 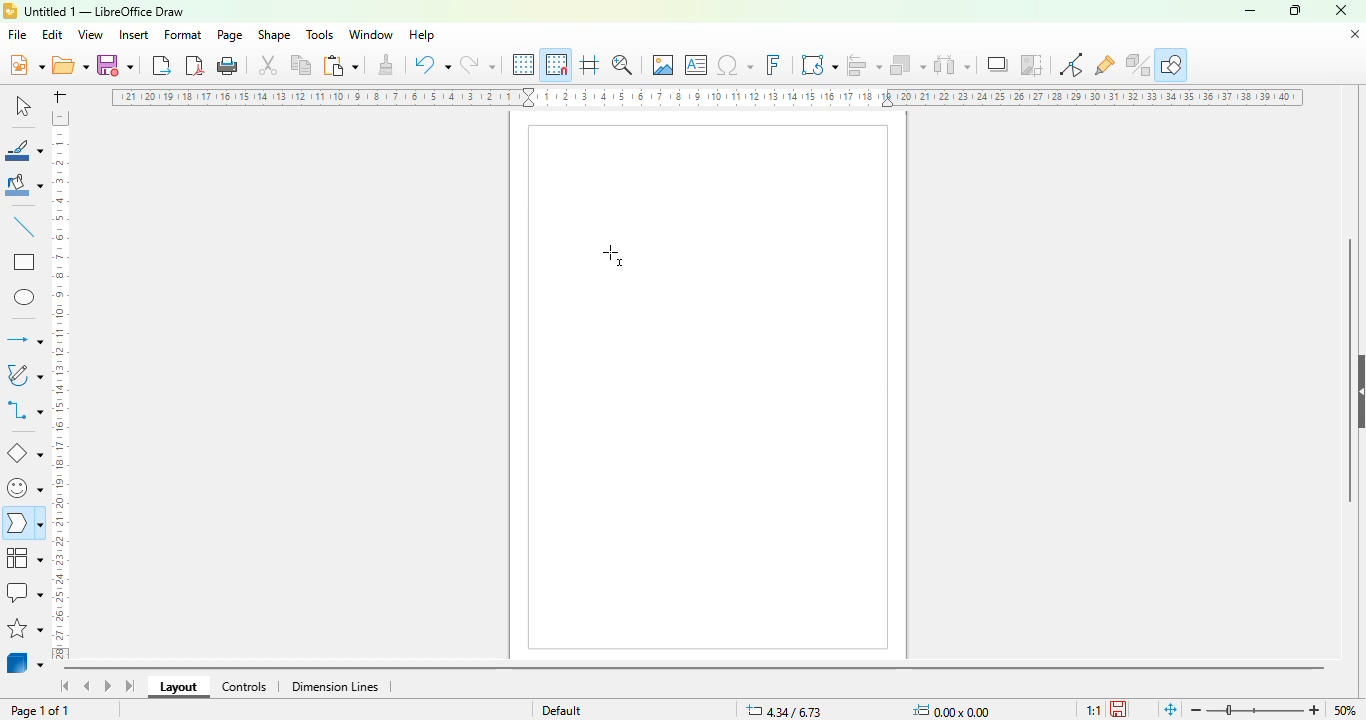 I want to click on 50%, so click(x=1345, y=710).